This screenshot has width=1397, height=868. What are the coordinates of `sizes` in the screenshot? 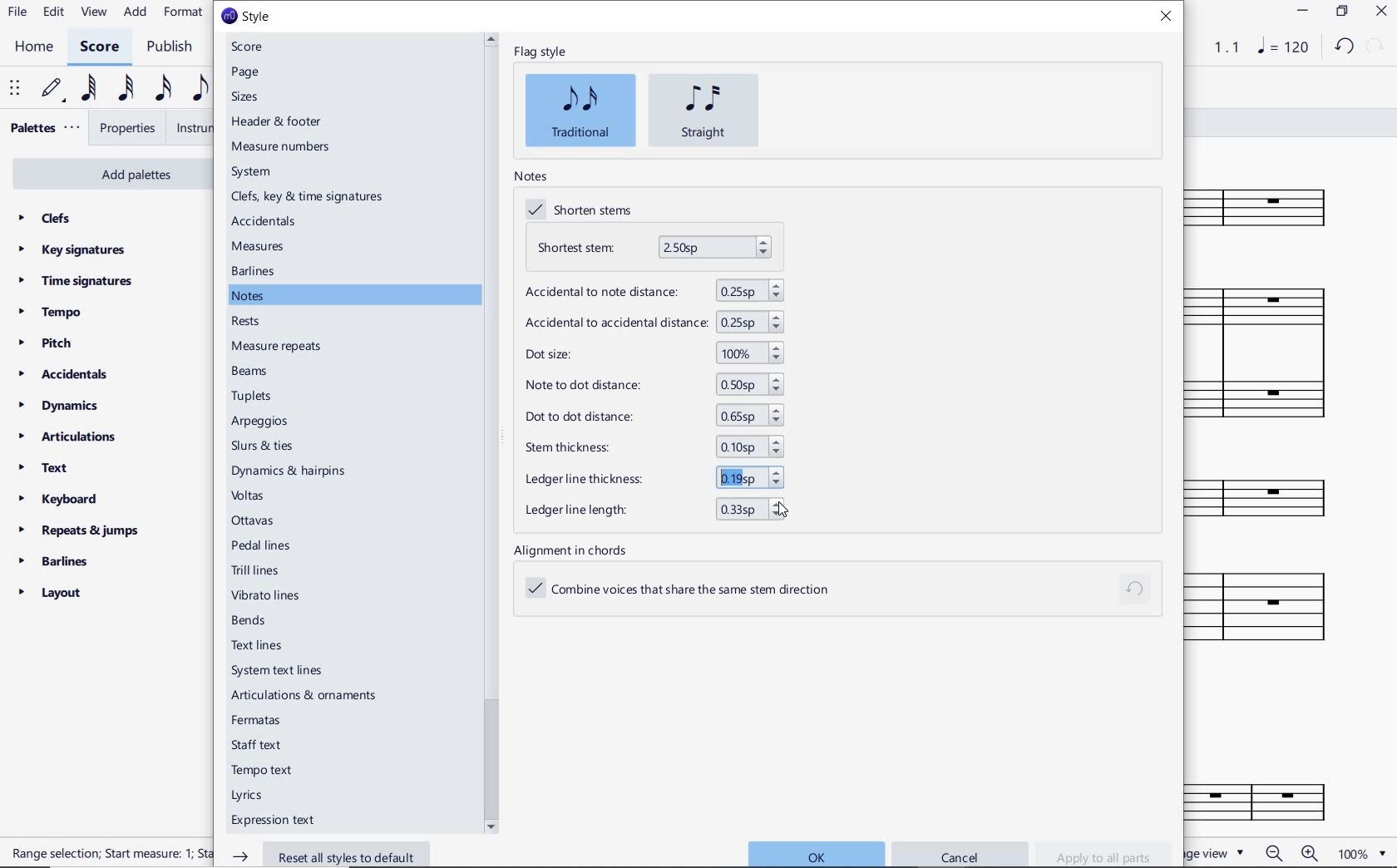 It's located at (249, 96).